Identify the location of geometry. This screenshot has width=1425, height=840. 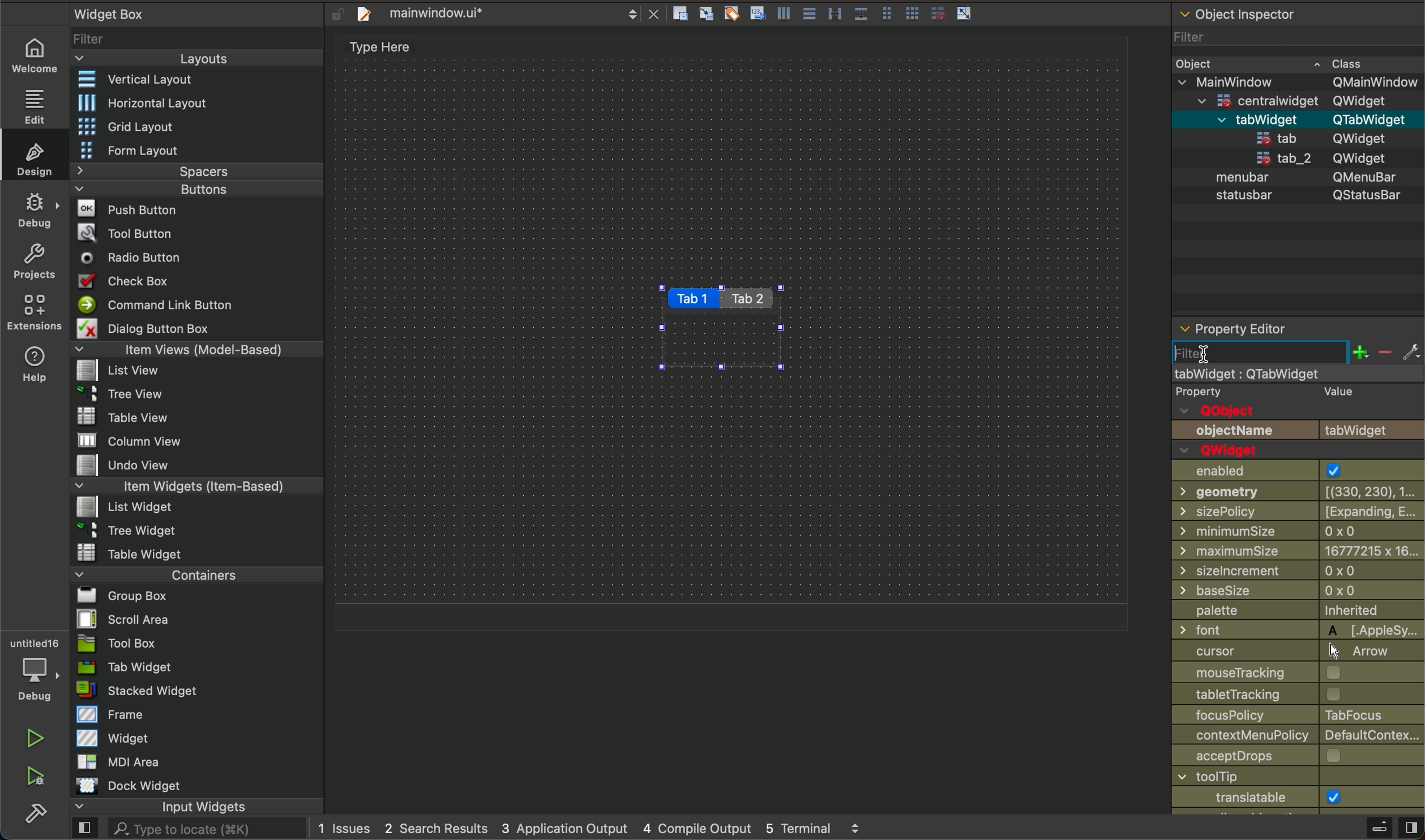
(1300, 491).